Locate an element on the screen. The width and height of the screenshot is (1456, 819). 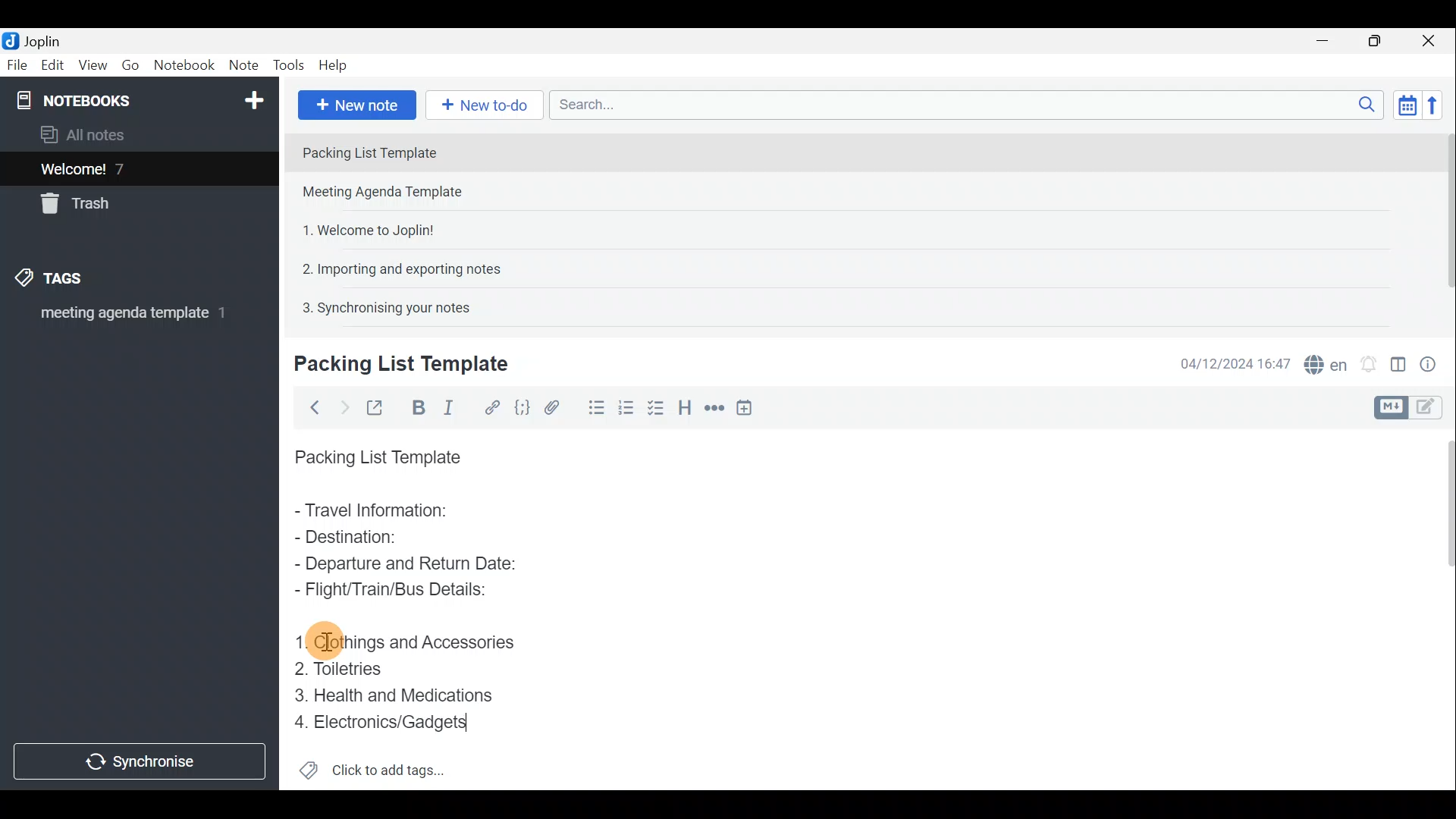
Synchronise is located at coordinates (142, 764).